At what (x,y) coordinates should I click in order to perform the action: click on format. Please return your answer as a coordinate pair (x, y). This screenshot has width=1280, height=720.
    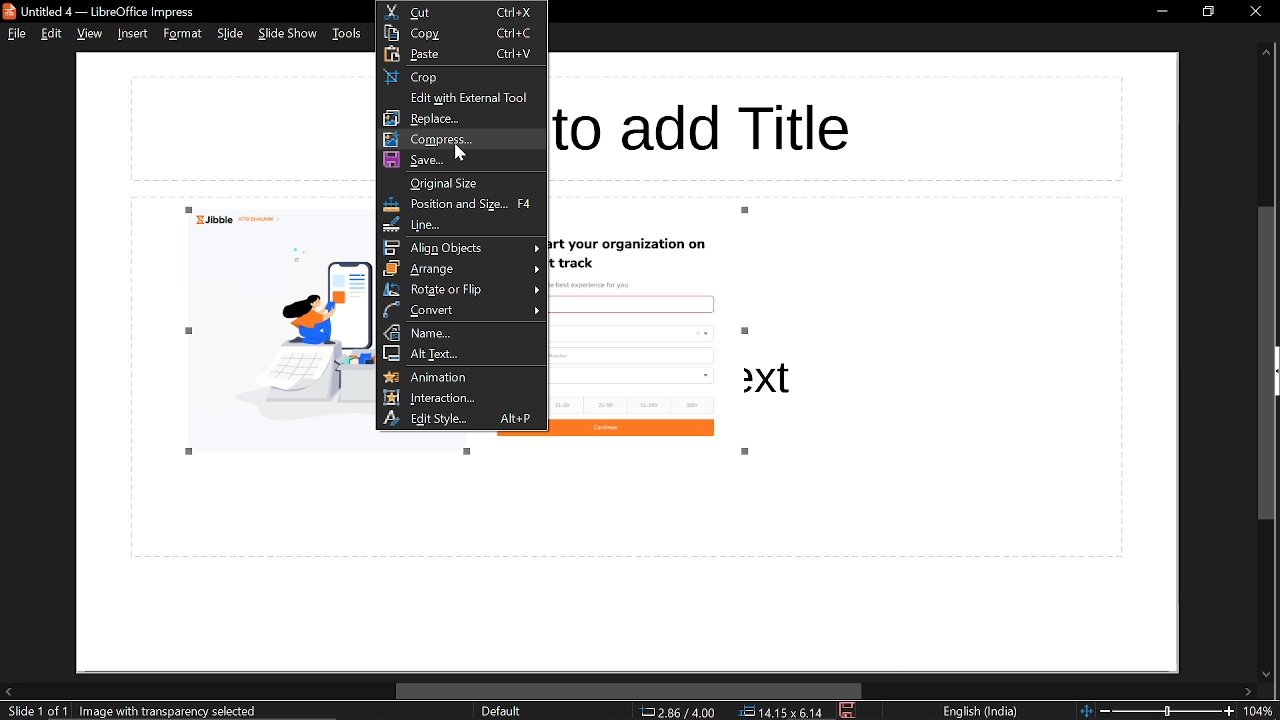
    Looking at the image, I should click on (182, 33).